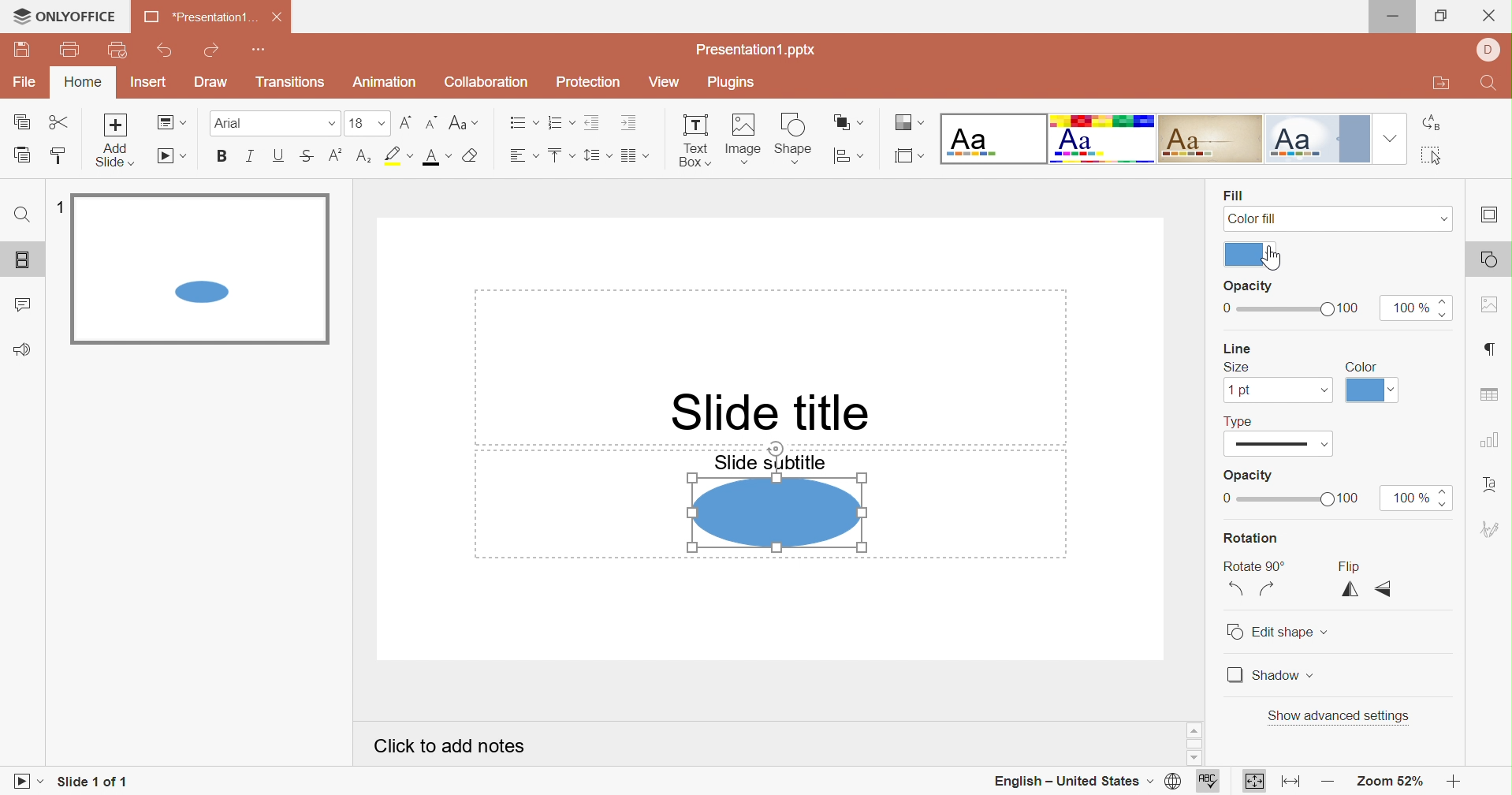 The width and height of the screenshot is (1512, 795). What do you see at coordinates (1327, 785) in the screenshot?
I see `Zoom out` at bounding box center [1327, 785].